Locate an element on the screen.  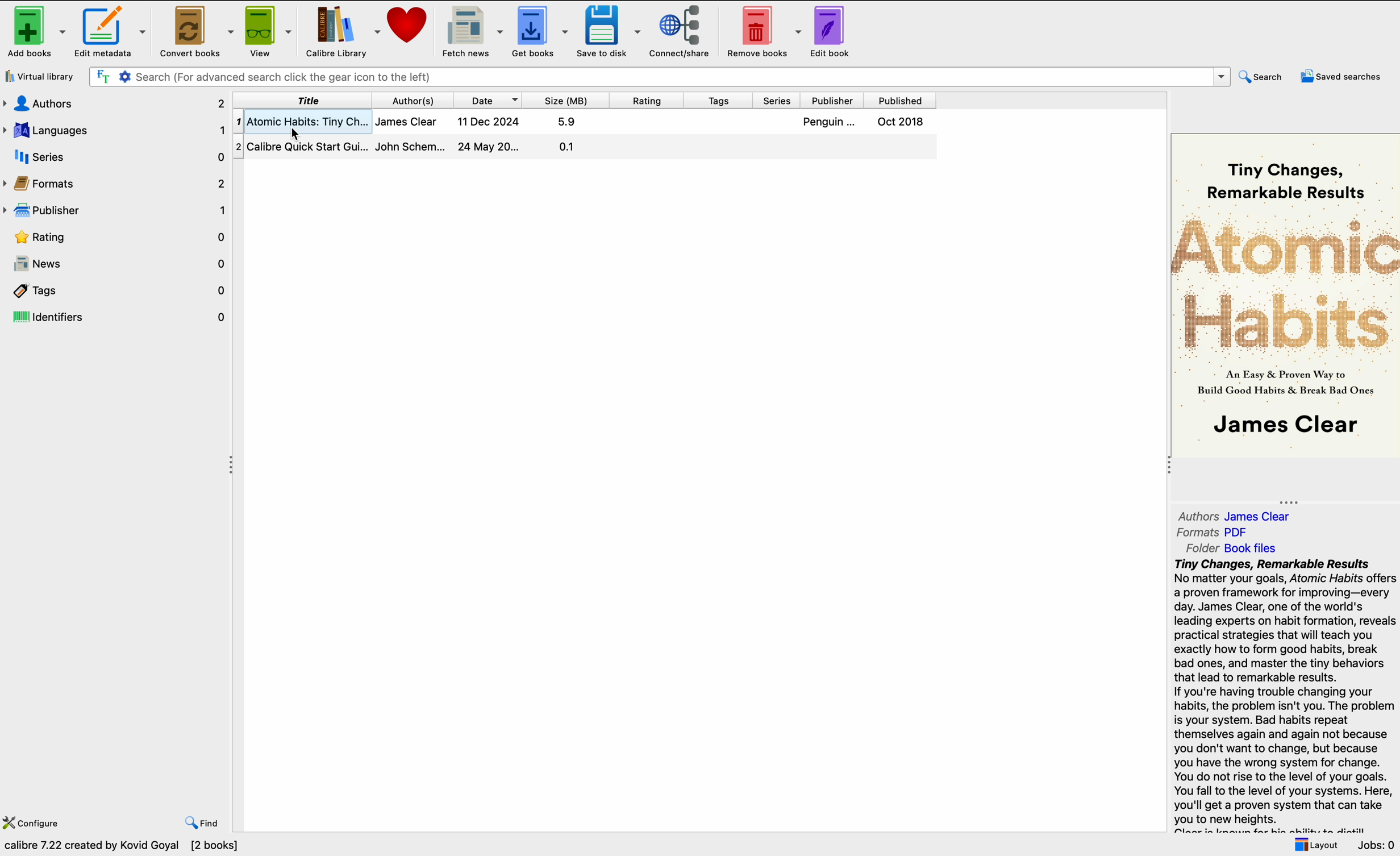
layout is located at coordinates (1315, 845).